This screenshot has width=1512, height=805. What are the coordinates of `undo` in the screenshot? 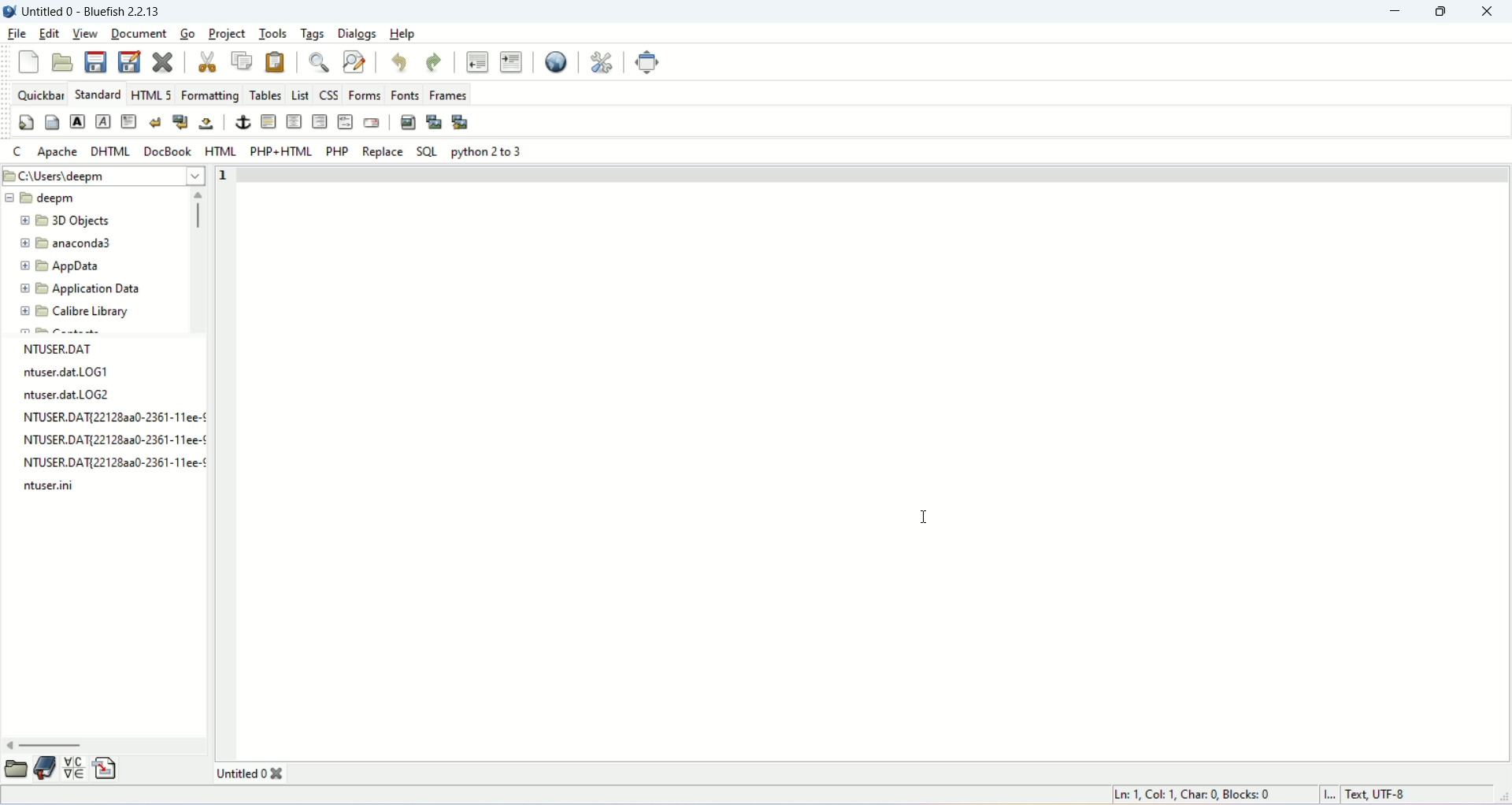 It's located at (399, 60).